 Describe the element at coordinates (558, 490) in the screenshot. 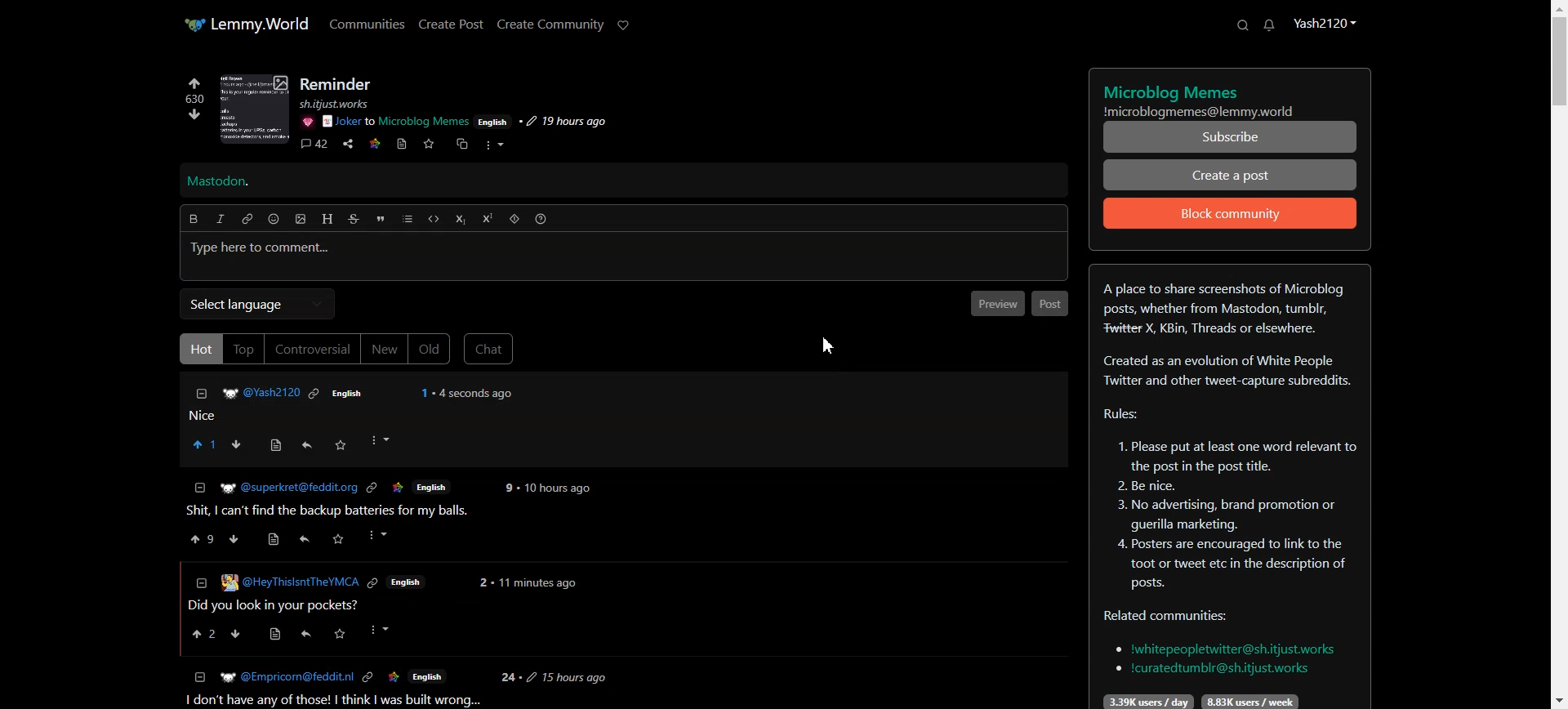

I see `10 minutes ago` at that location.